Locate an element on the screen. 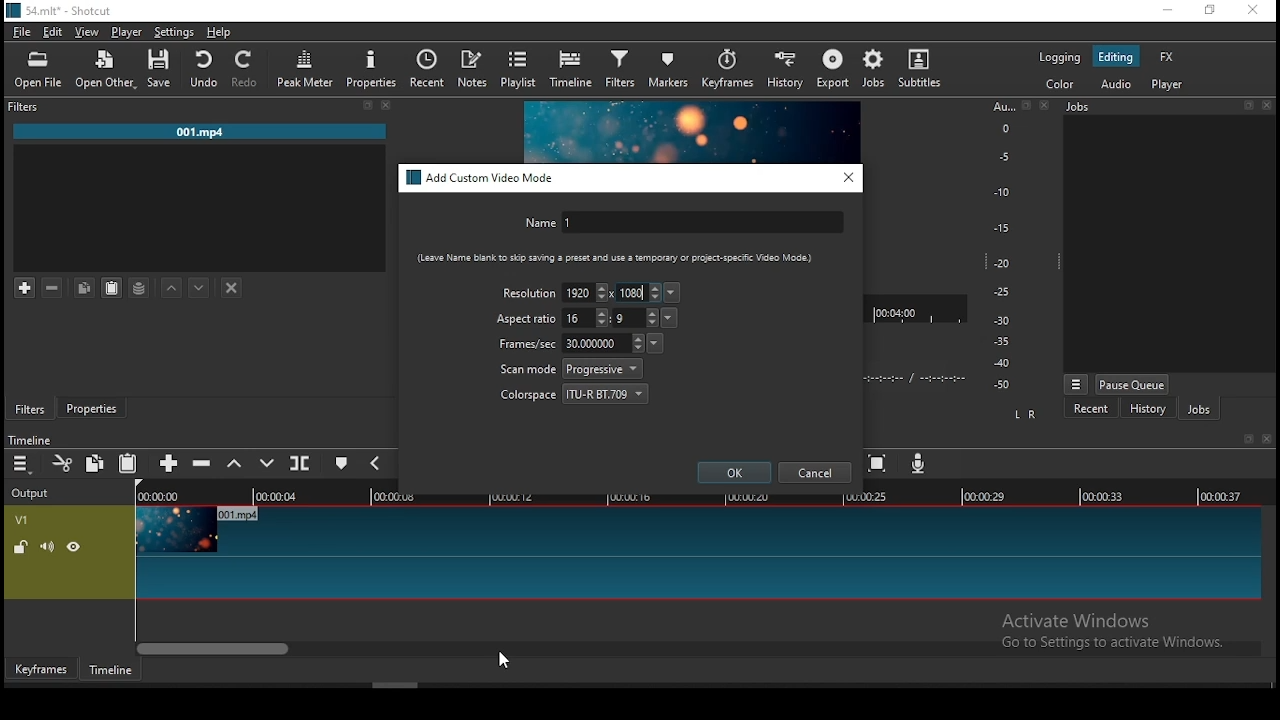 The image size is (1280, 720). 00:00:12 is located at coordinates (515, 496).